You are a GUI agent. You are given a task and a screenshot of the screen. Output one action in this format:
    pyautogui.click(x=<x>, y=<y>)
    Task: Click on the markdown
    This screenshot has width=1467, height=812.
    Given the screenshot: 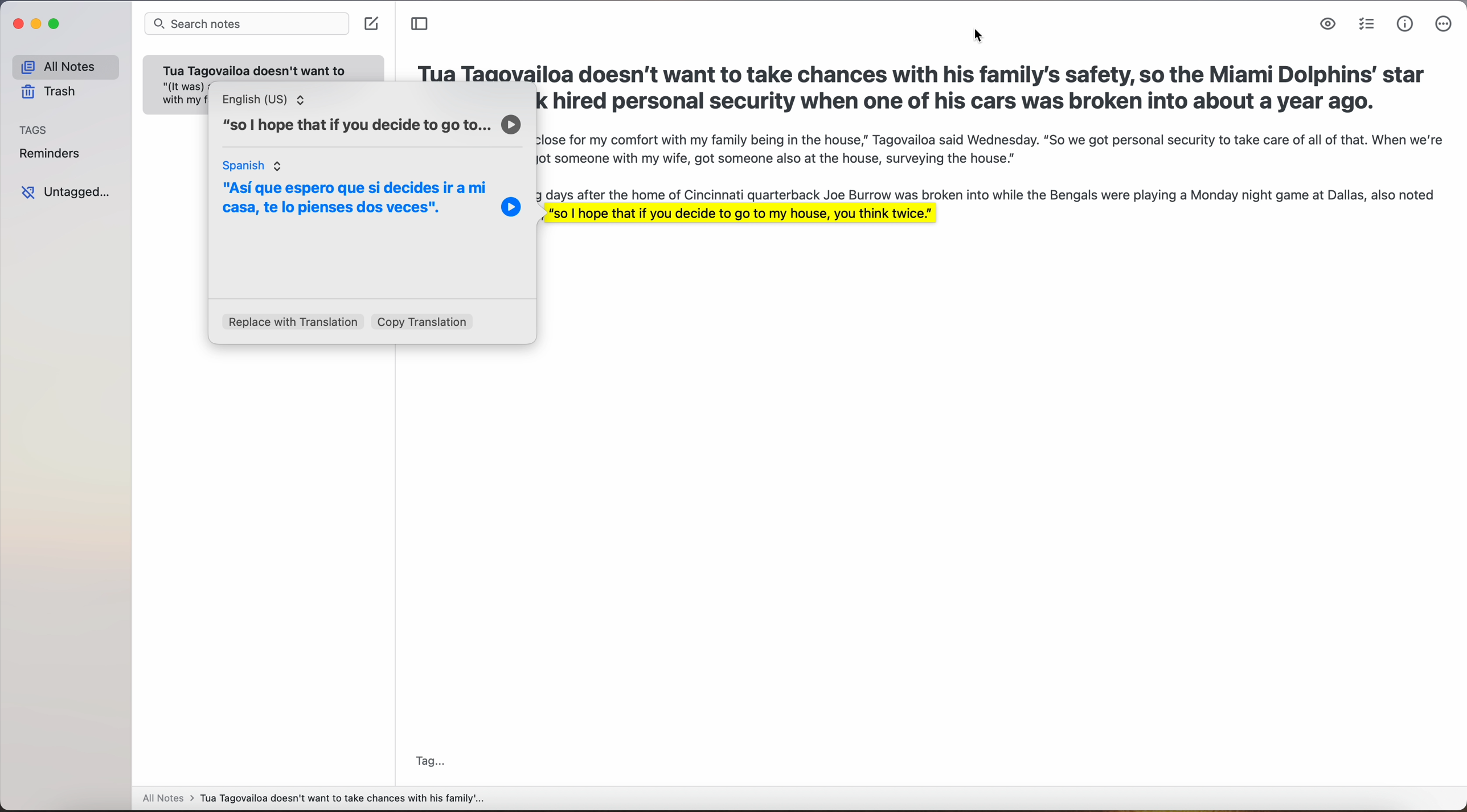 What is the action you would take?
    pyautogui.click(x=1329, y=25)
    